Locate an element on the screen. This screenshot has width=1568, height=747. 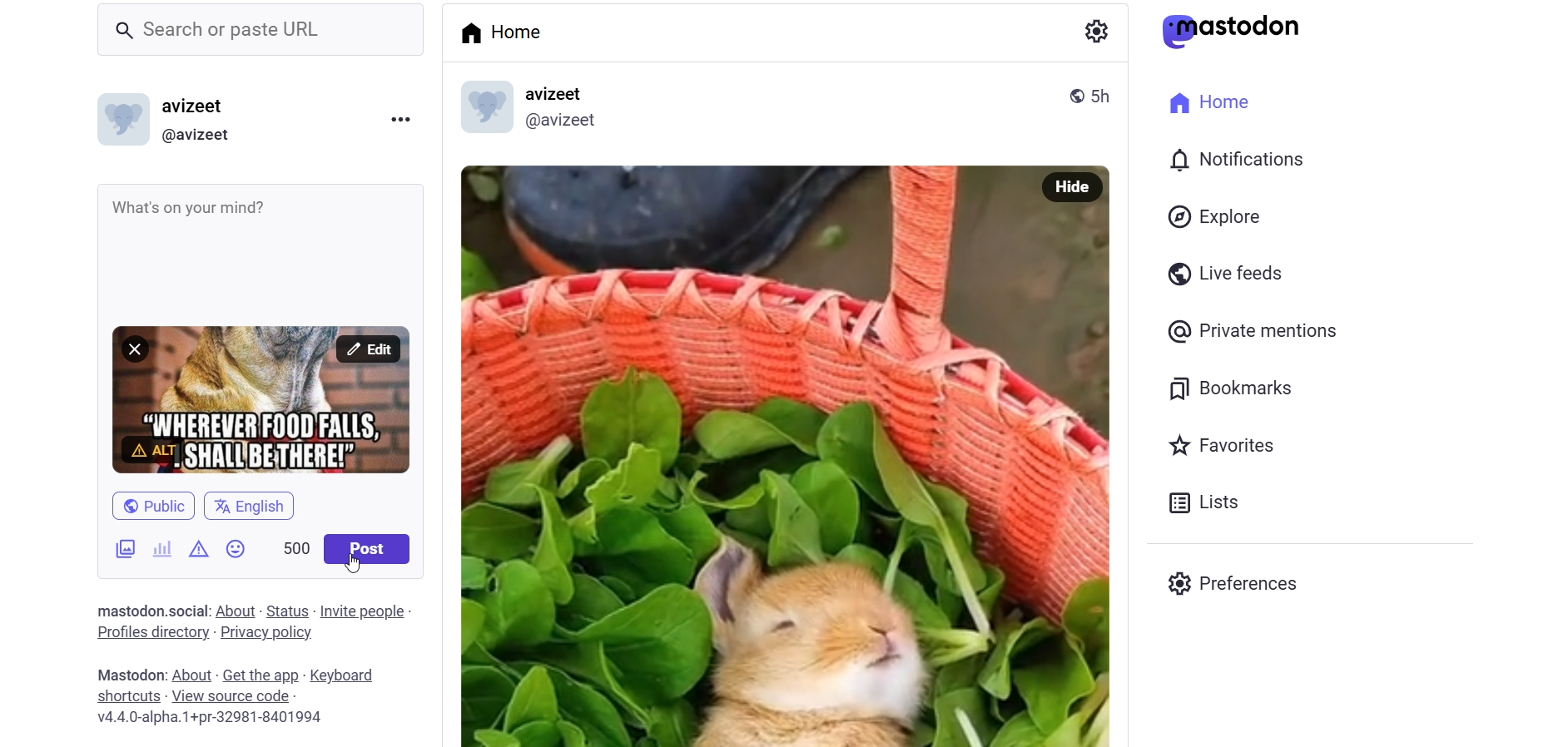
image is located at coordinates (763, 458).